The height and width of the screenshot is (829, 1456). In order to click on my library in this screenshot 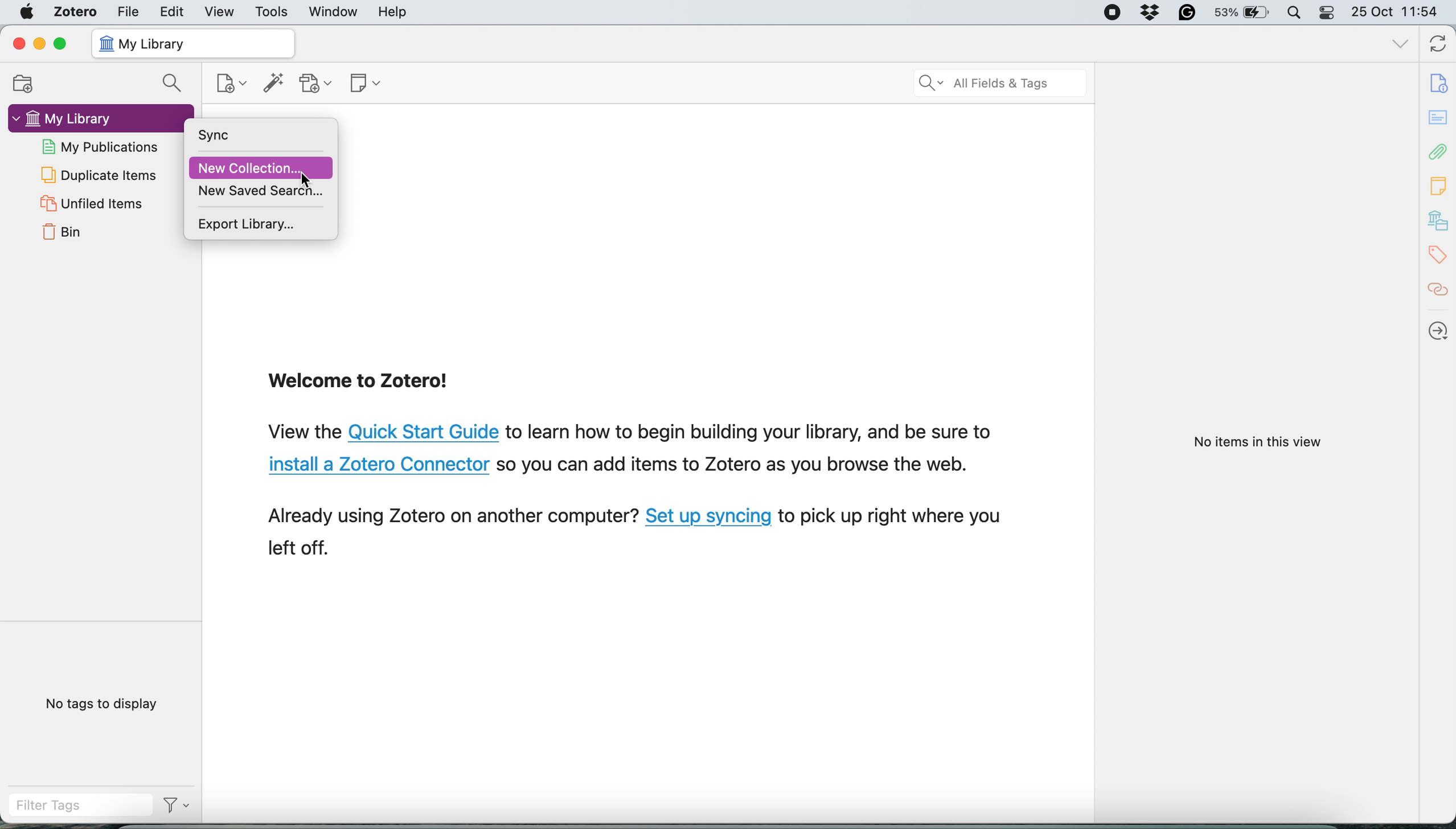, I will do `click(194, 43)`.